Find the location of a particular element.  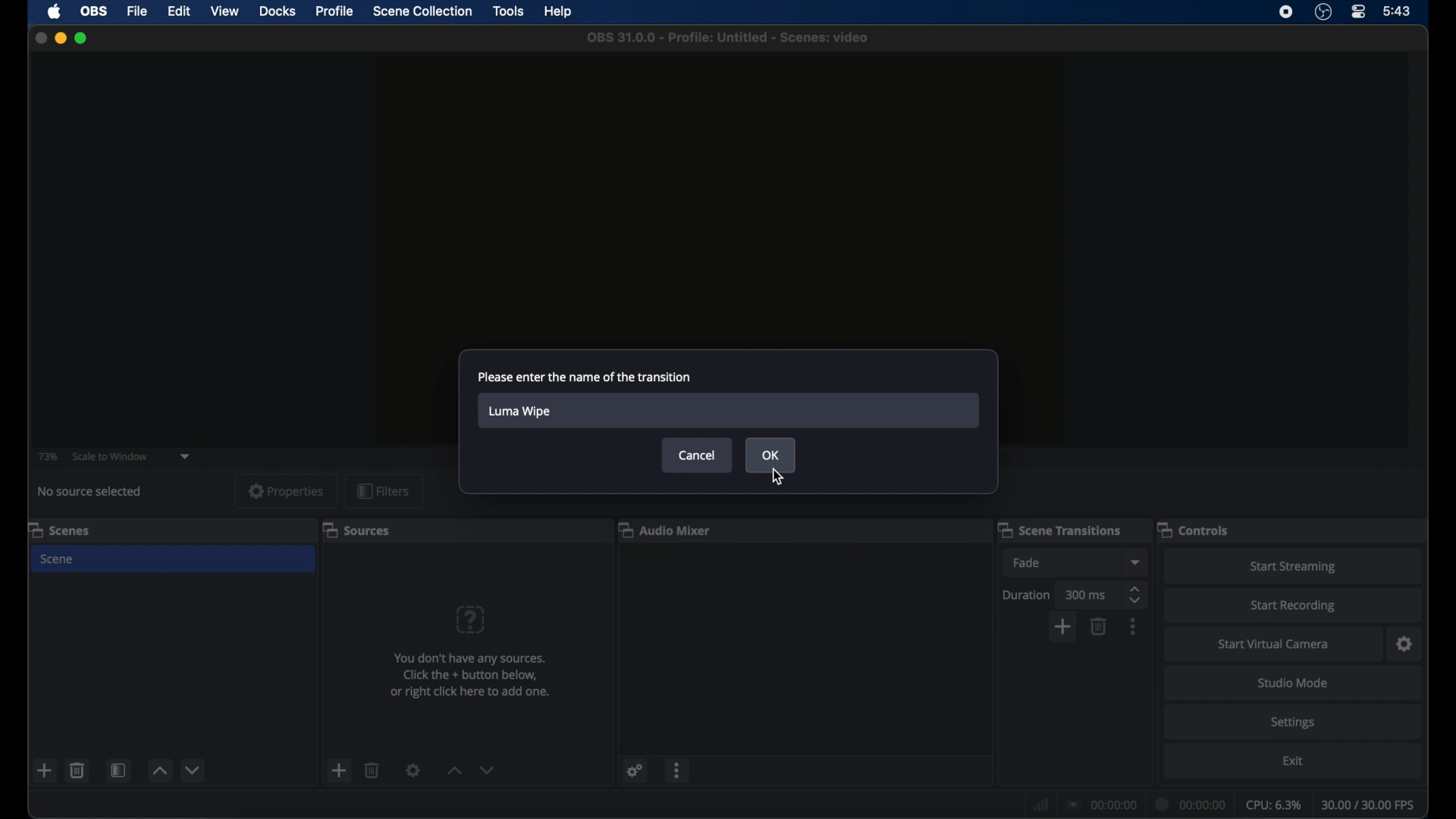

decrement is located at coordinates (193, 771).